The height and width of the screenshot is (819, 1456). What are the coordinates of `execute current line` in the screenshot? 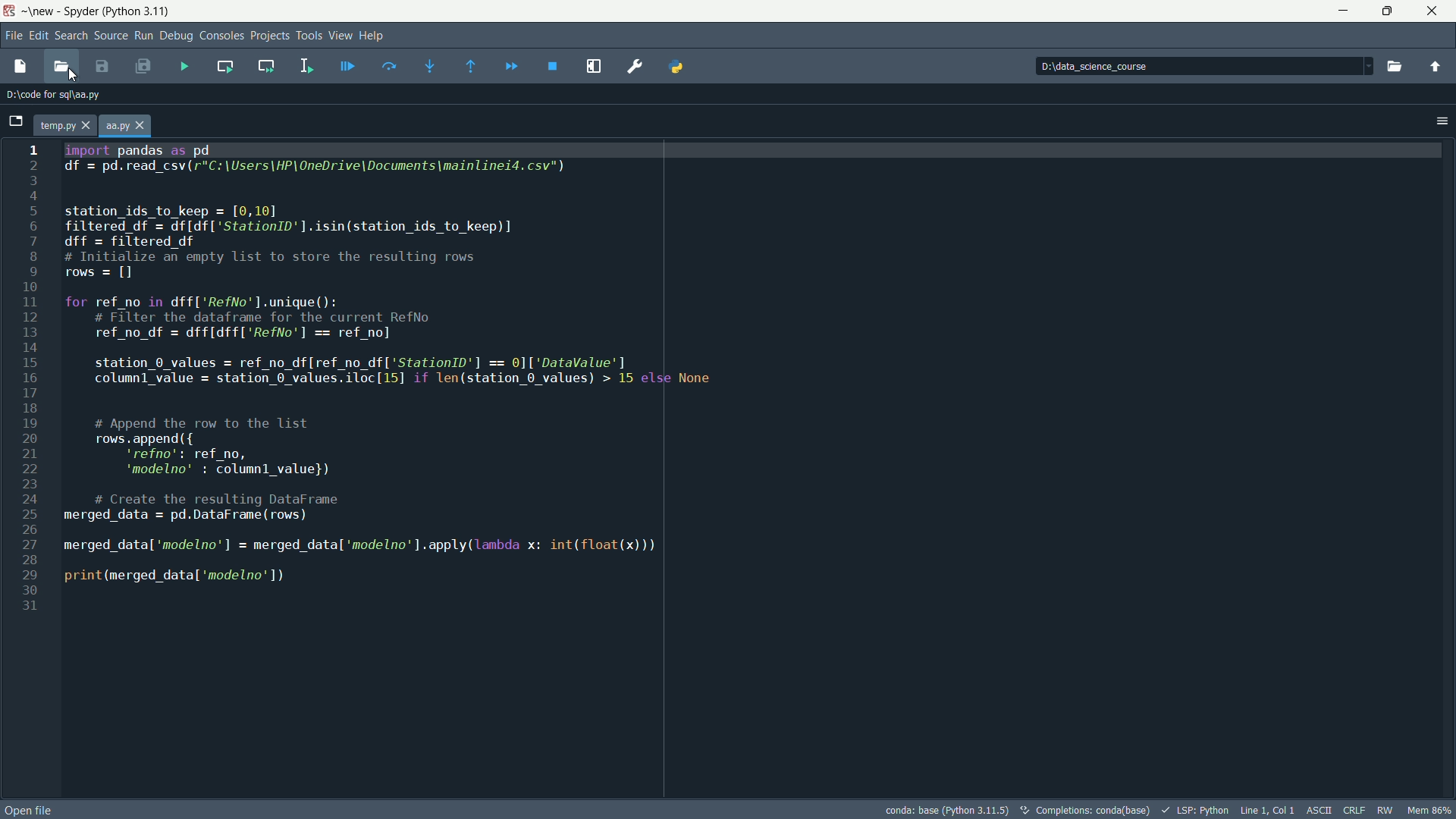 It's located at (389, 67).